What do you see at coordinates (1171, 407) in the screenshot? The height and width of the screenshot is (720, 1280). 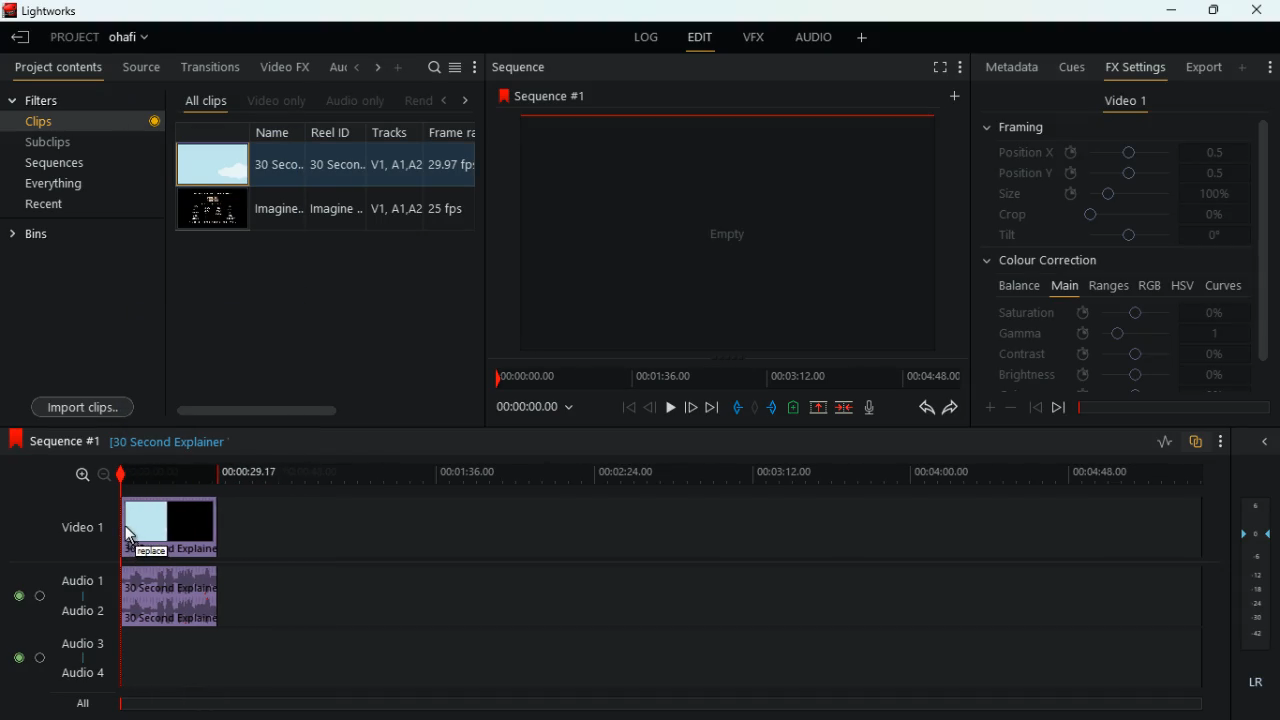 I see `timeline` at bounding box center [1171, 407].